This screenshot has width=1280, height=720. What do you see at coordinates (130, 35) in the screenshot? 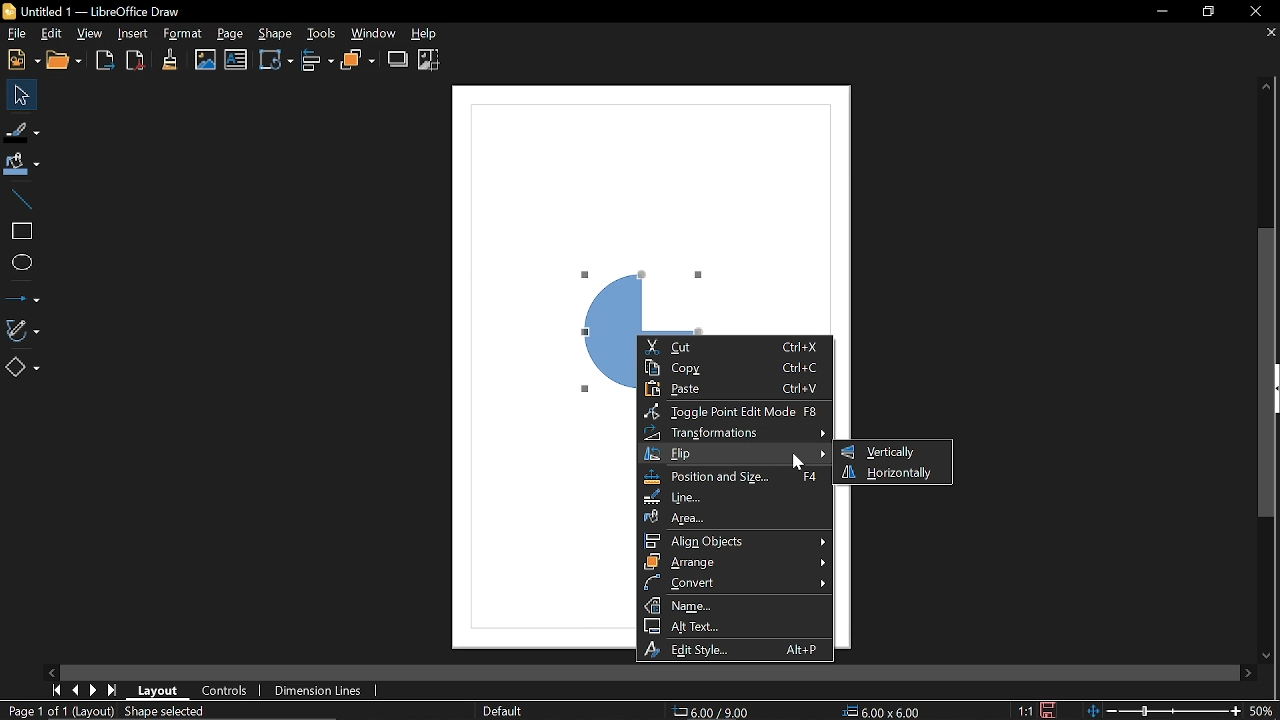
I see `Insert` at bounding box center [130, 35].